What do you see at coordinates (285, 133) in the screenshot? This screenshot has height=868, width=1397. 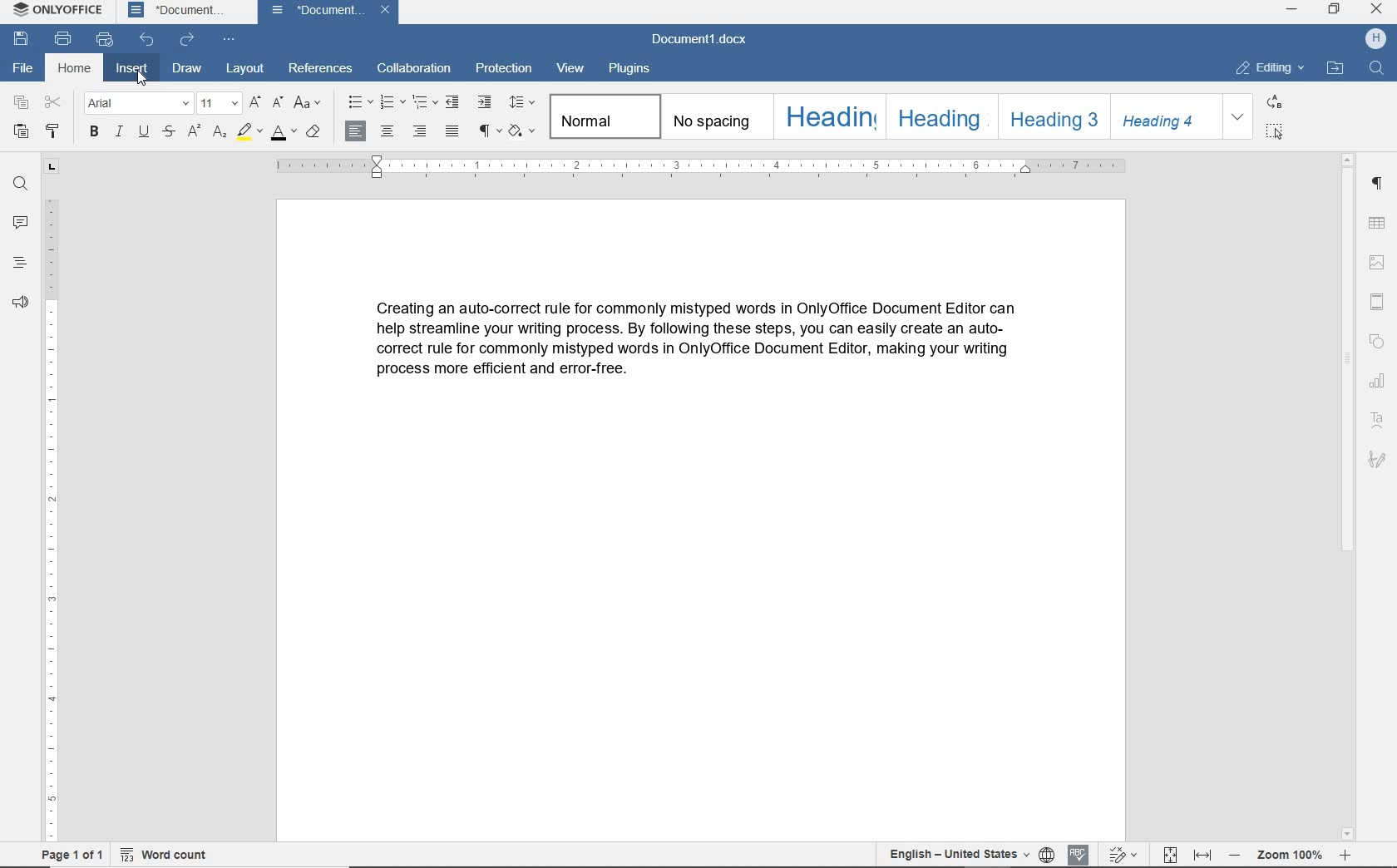 I see `font color` at bounding box center [285, 133].